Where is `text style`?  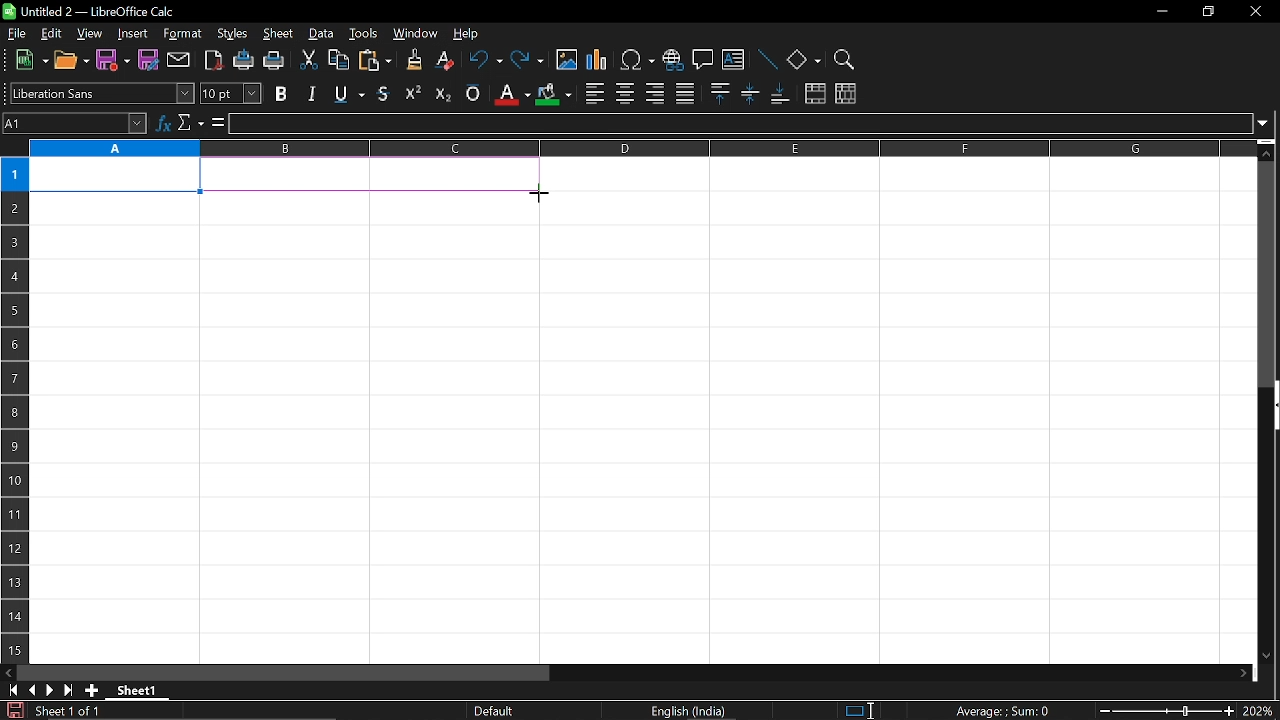
text style is located at coordinates (103, 94).